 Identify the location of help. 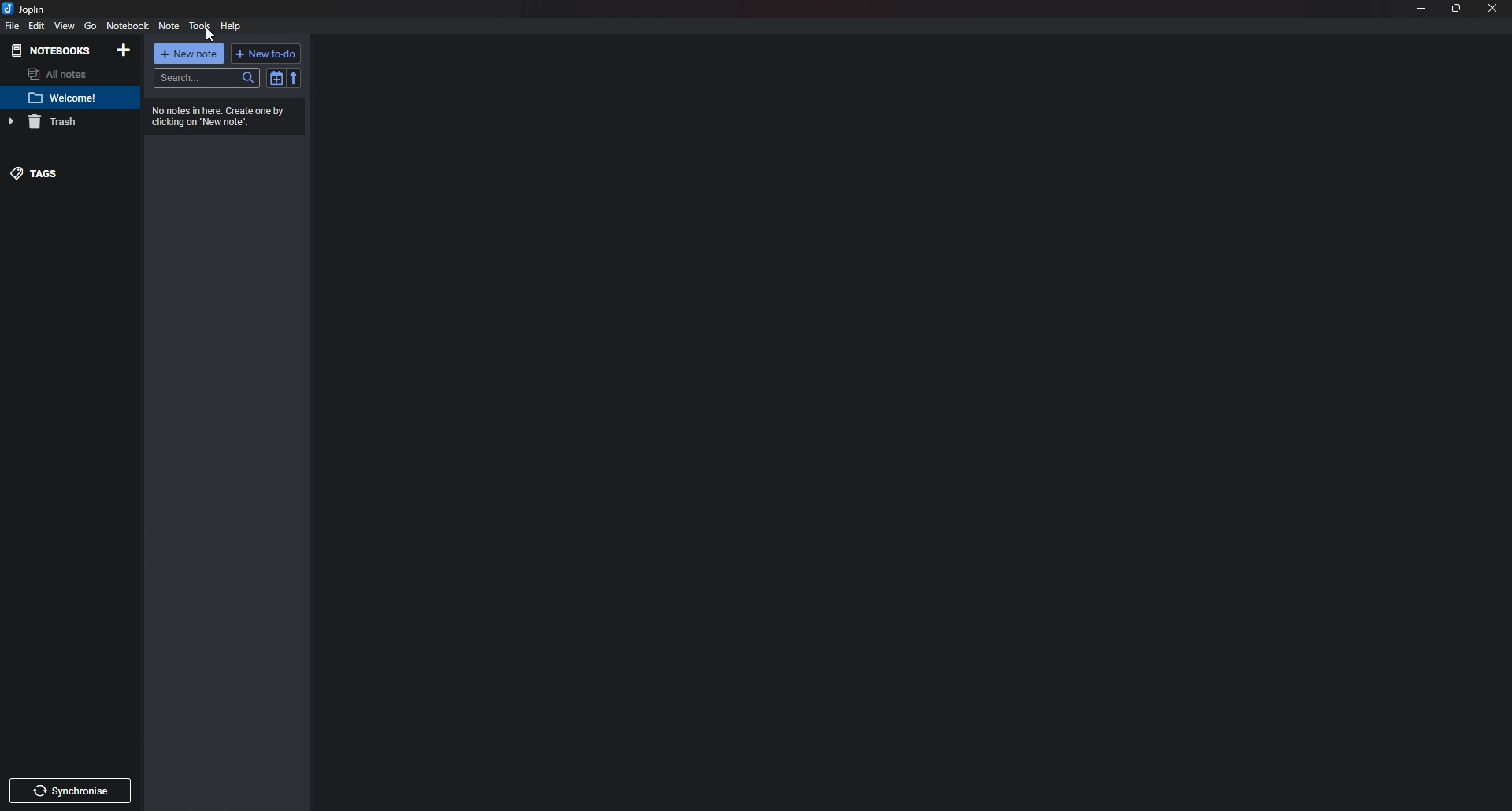
(231, 28).